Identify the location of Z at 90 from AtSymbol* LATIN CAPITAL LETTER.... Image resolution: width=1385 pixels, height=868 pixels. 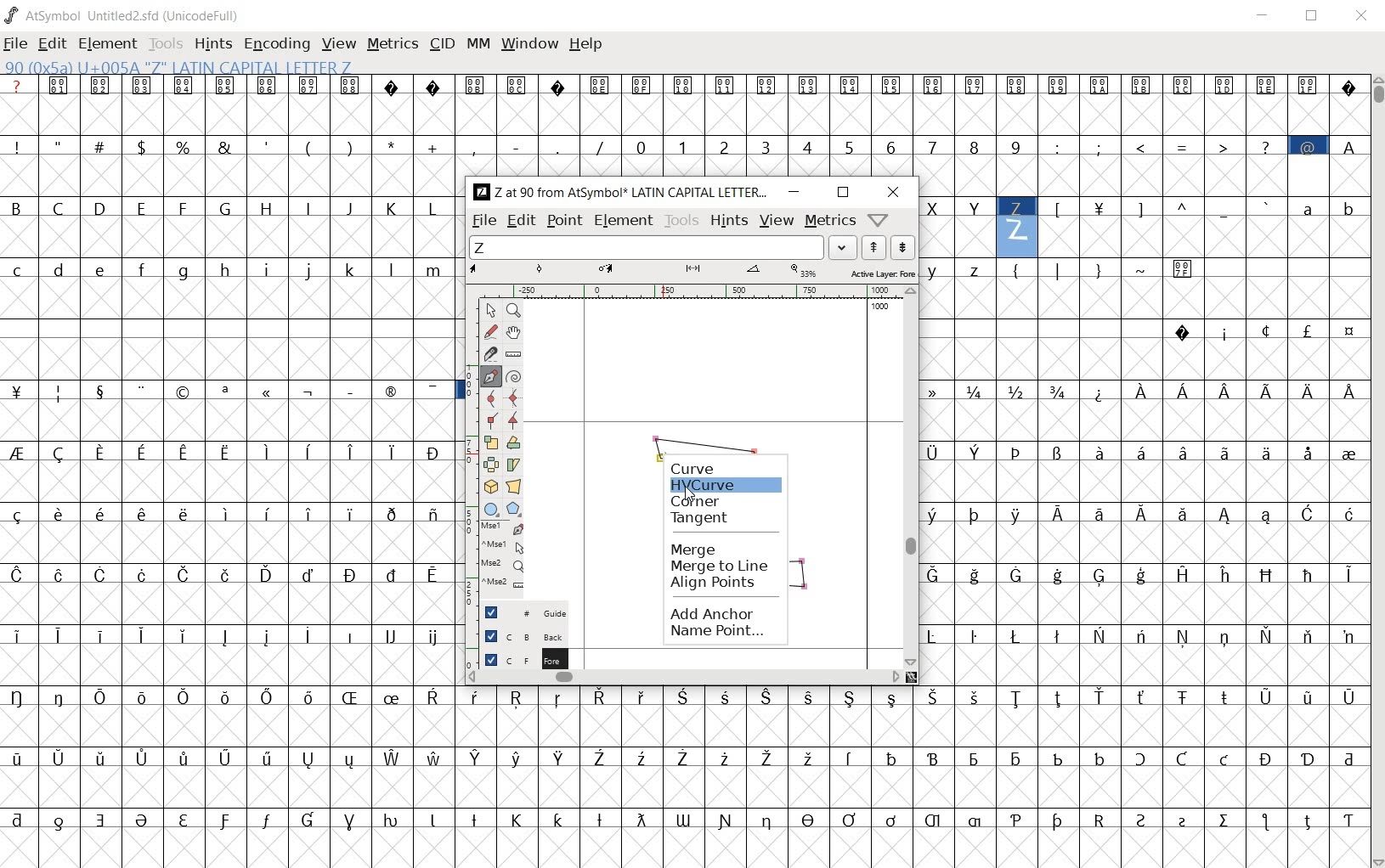
(619, 193).